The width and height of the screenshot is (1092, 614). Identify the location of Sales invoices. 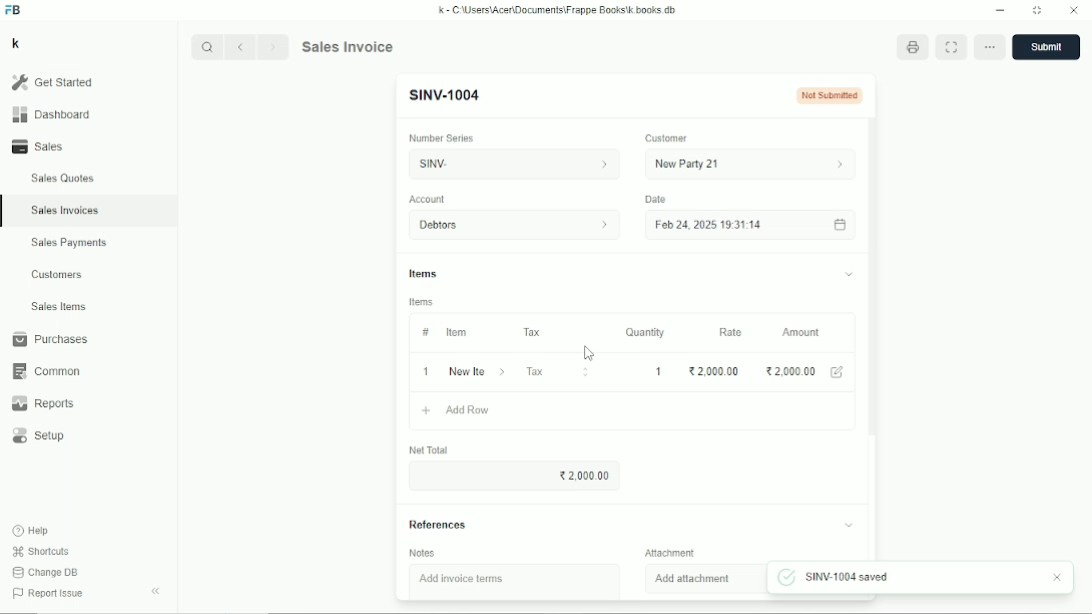
(64, 210).